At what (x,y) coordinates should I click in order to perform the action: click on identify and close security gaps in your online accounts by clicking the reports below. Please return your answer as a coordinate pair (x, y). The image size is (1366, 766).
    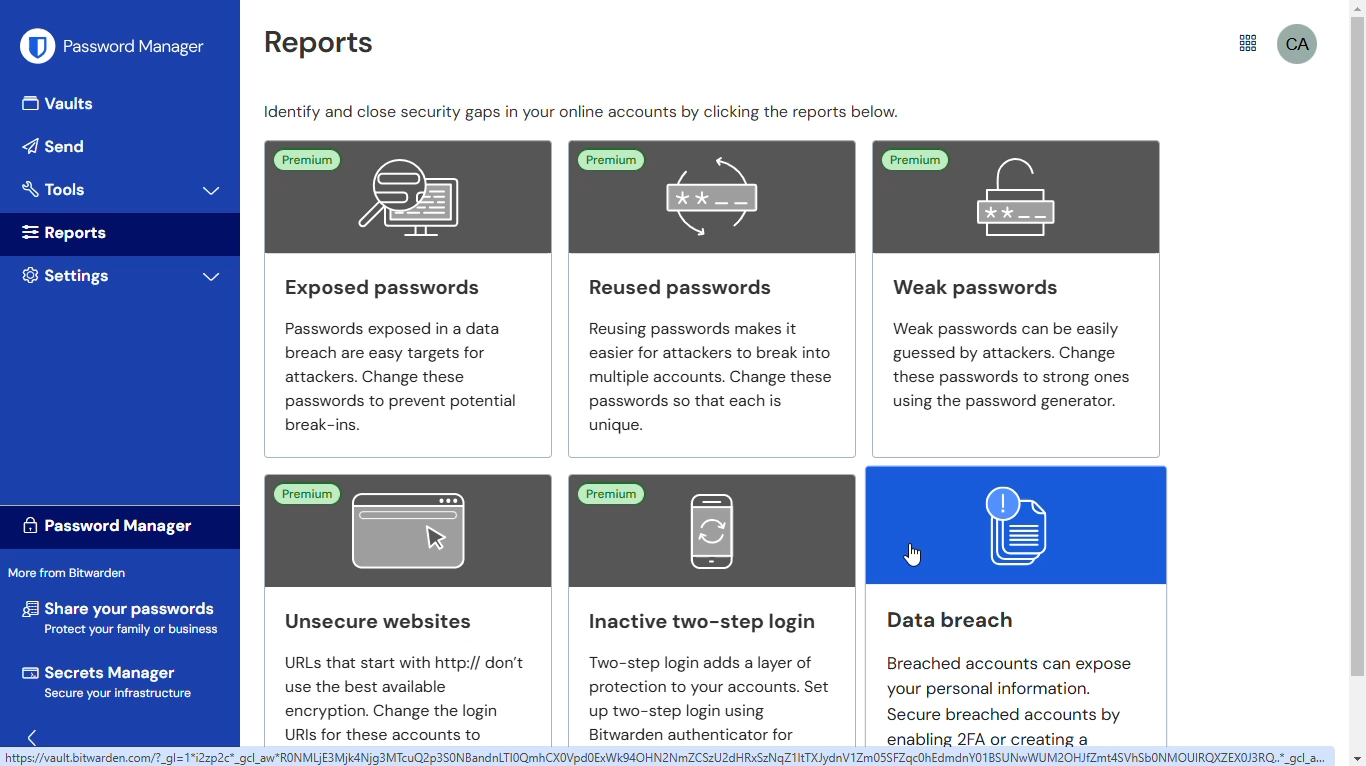
    Looking at the image, I should click on (582, 112).